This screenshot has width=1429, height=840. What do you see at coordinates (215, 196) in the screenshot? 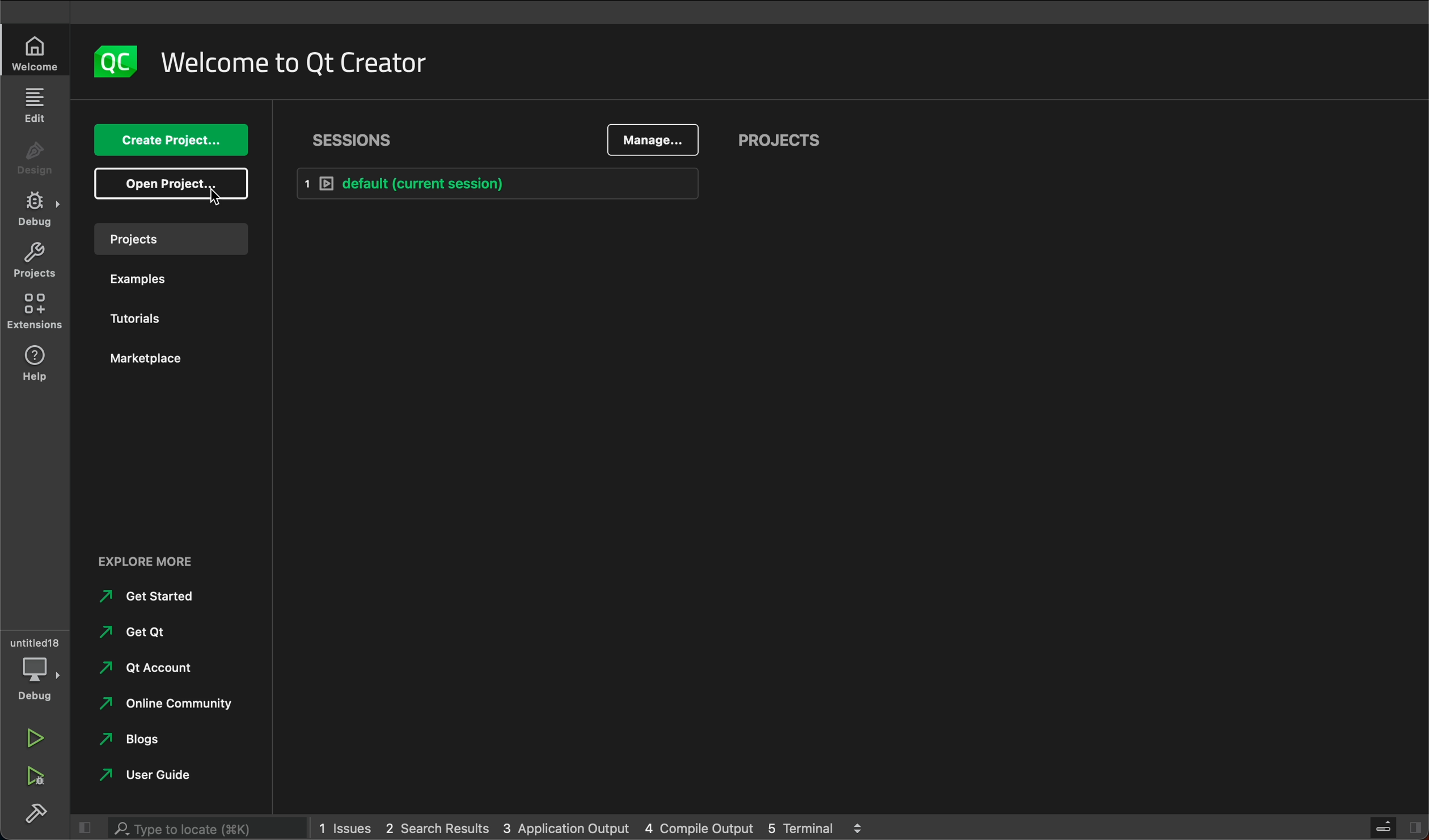
I see `cursor` at bounding box center [215, 196].